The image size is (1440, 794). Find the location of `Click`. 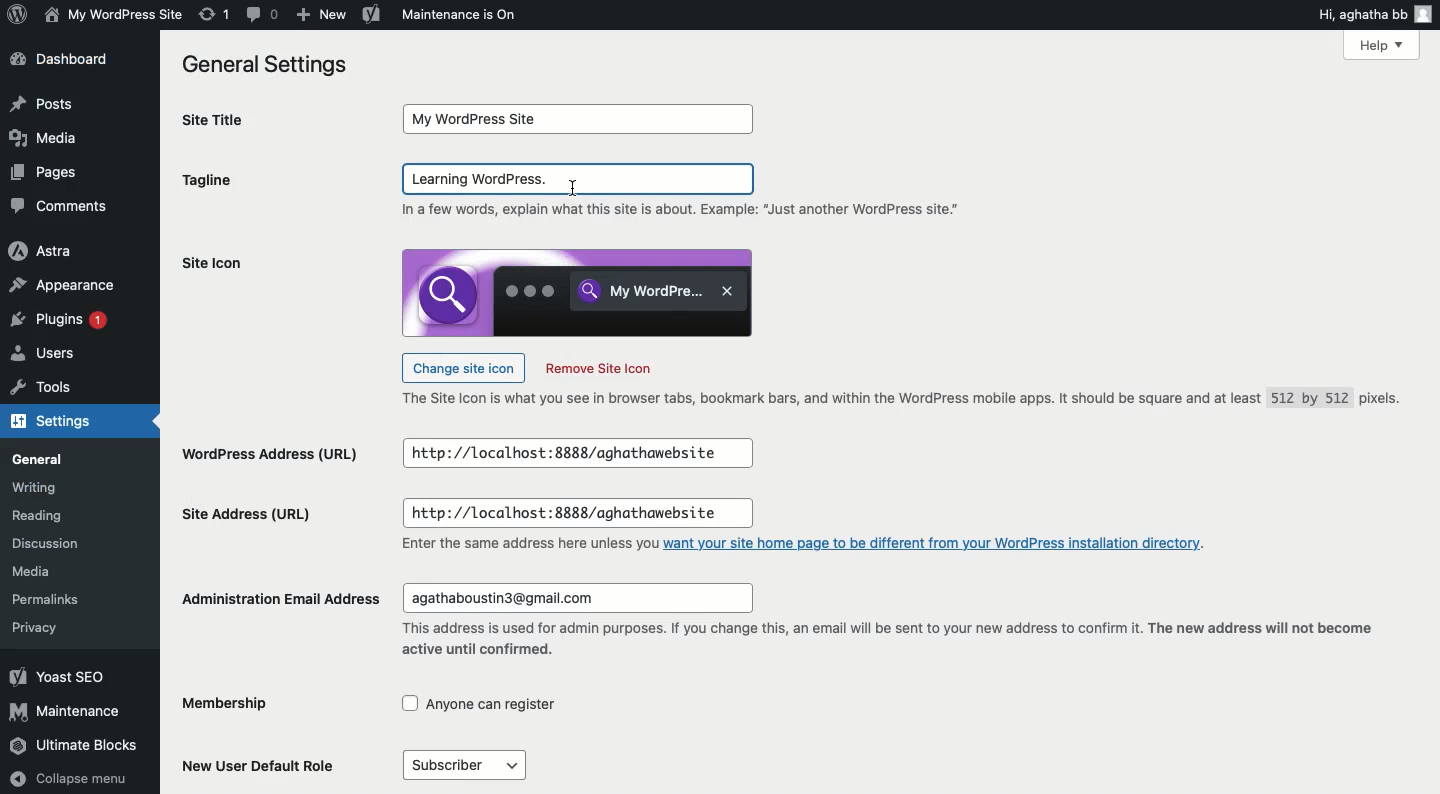

Click is located at coordinates (580, 179).